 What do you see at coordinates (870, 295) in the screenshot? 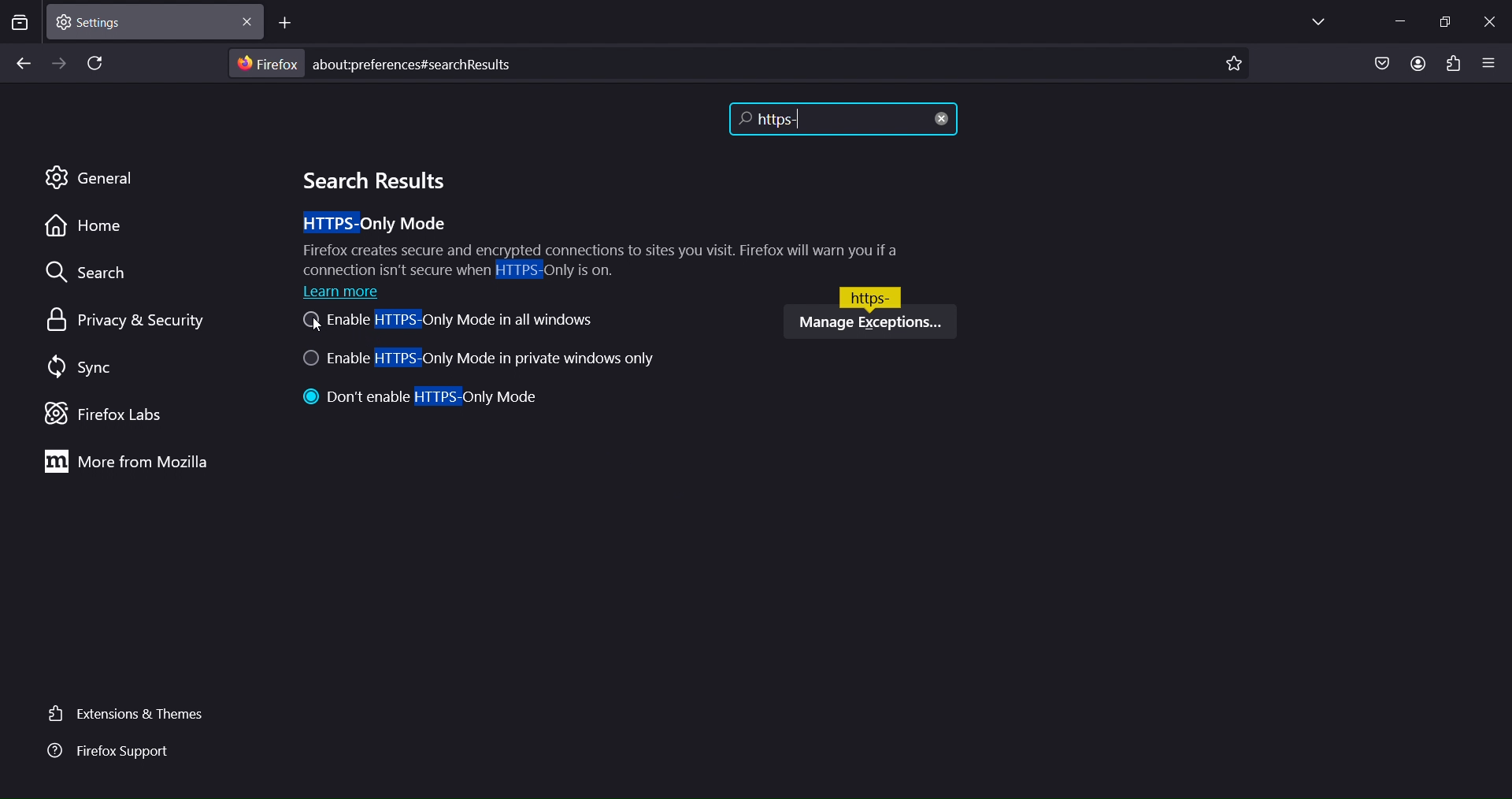
I see `https-` at bounding box center [870, 295].